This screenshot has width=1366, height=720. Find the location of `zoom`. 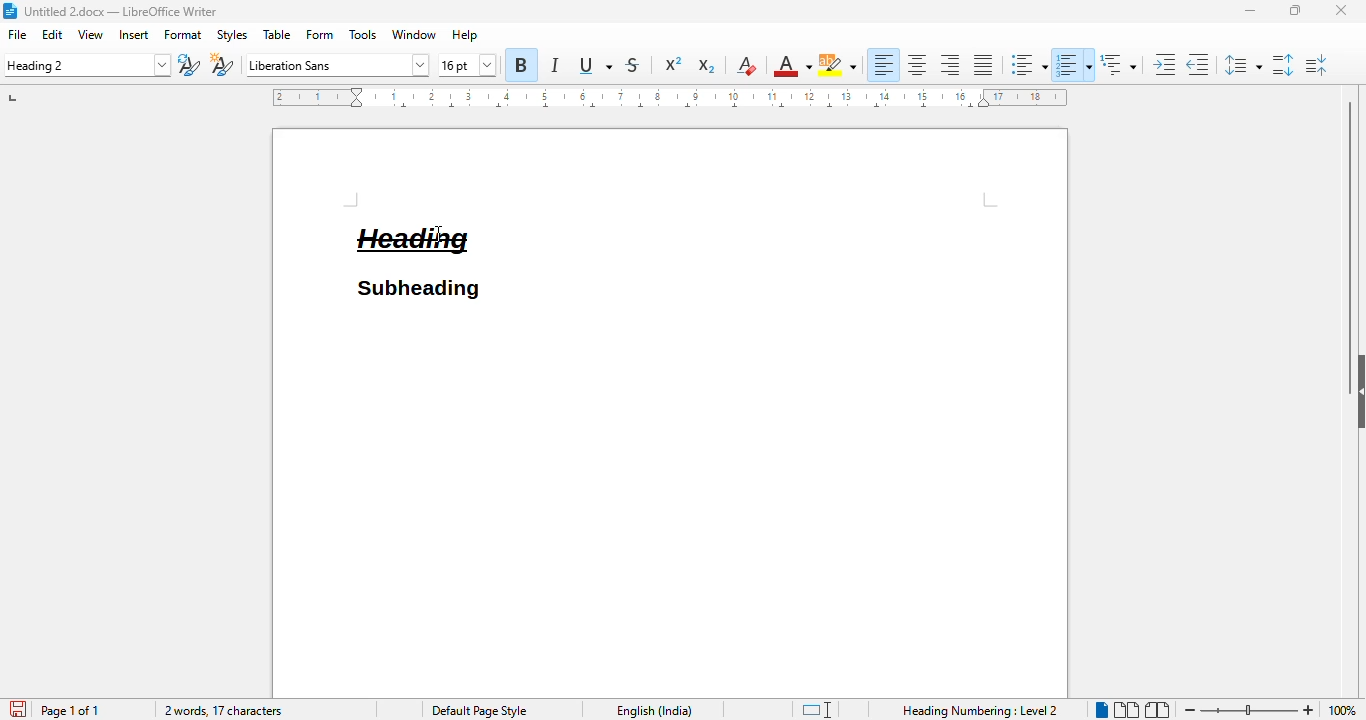

zoom is located at coordinates (1250, 707).